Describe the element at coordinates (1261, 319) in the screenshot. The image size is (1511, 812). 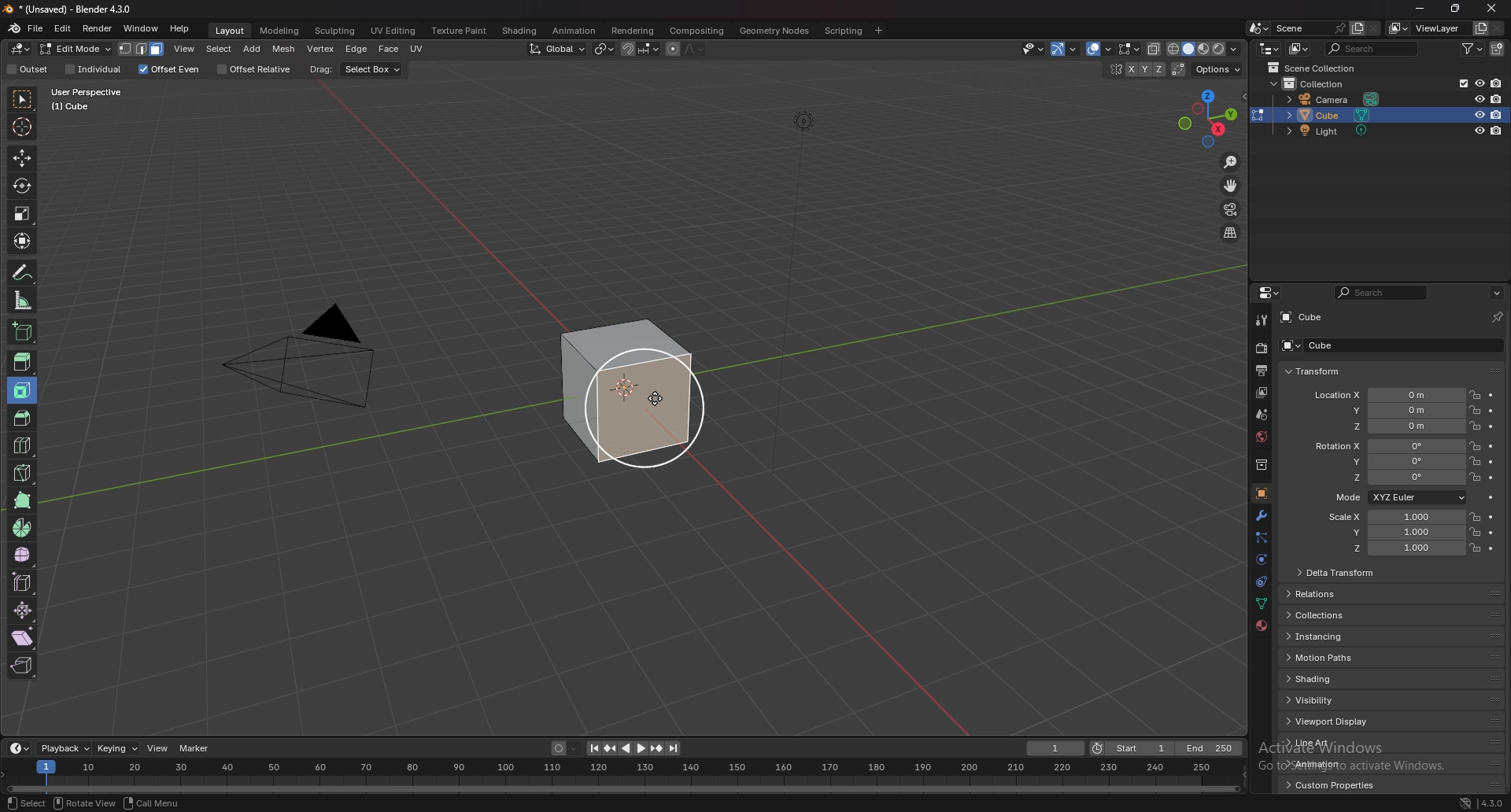
I see `tool` at that location.